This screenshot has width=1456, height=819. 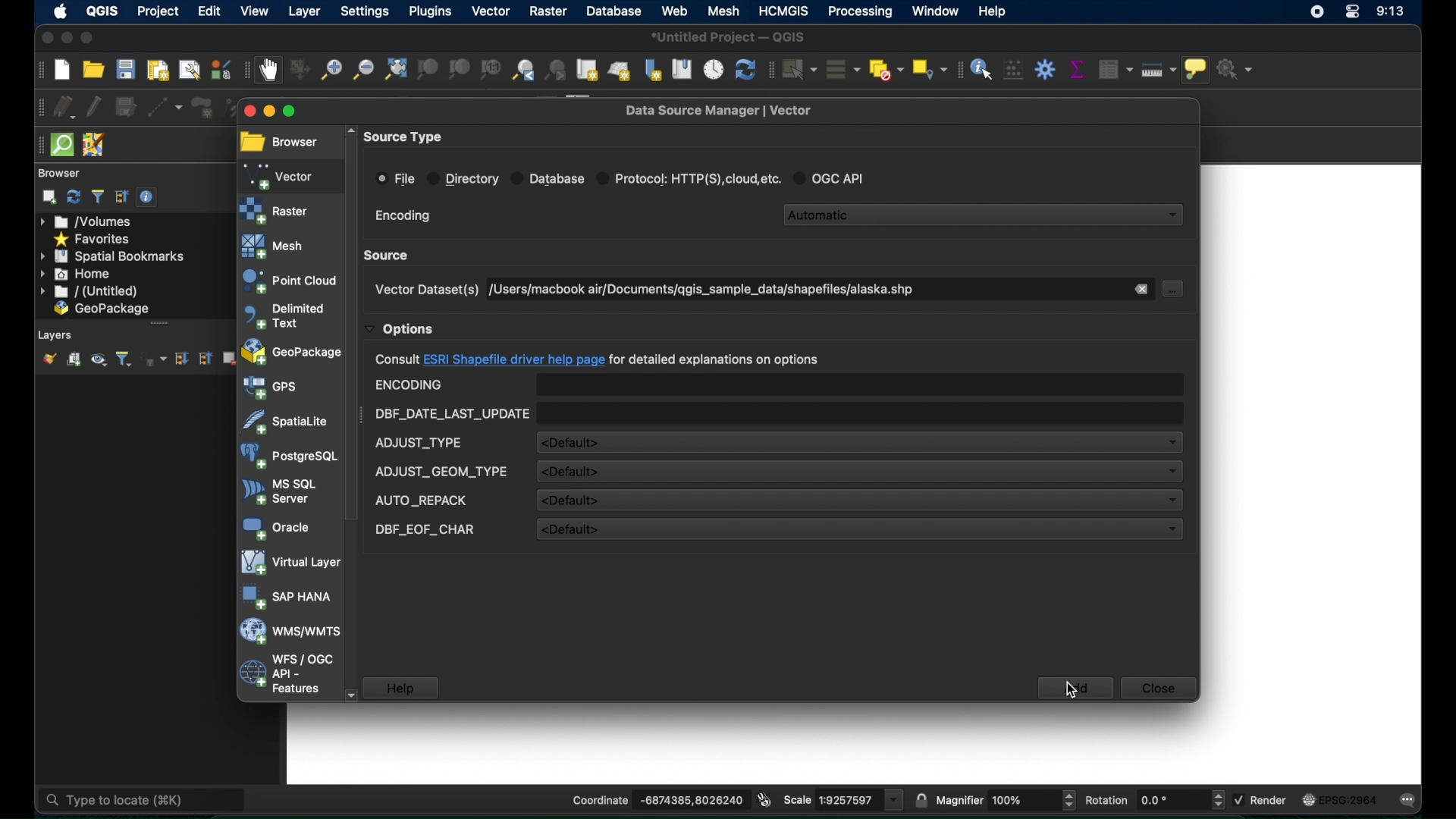 I want to click on directory radio button, so click(x=463, y=179).